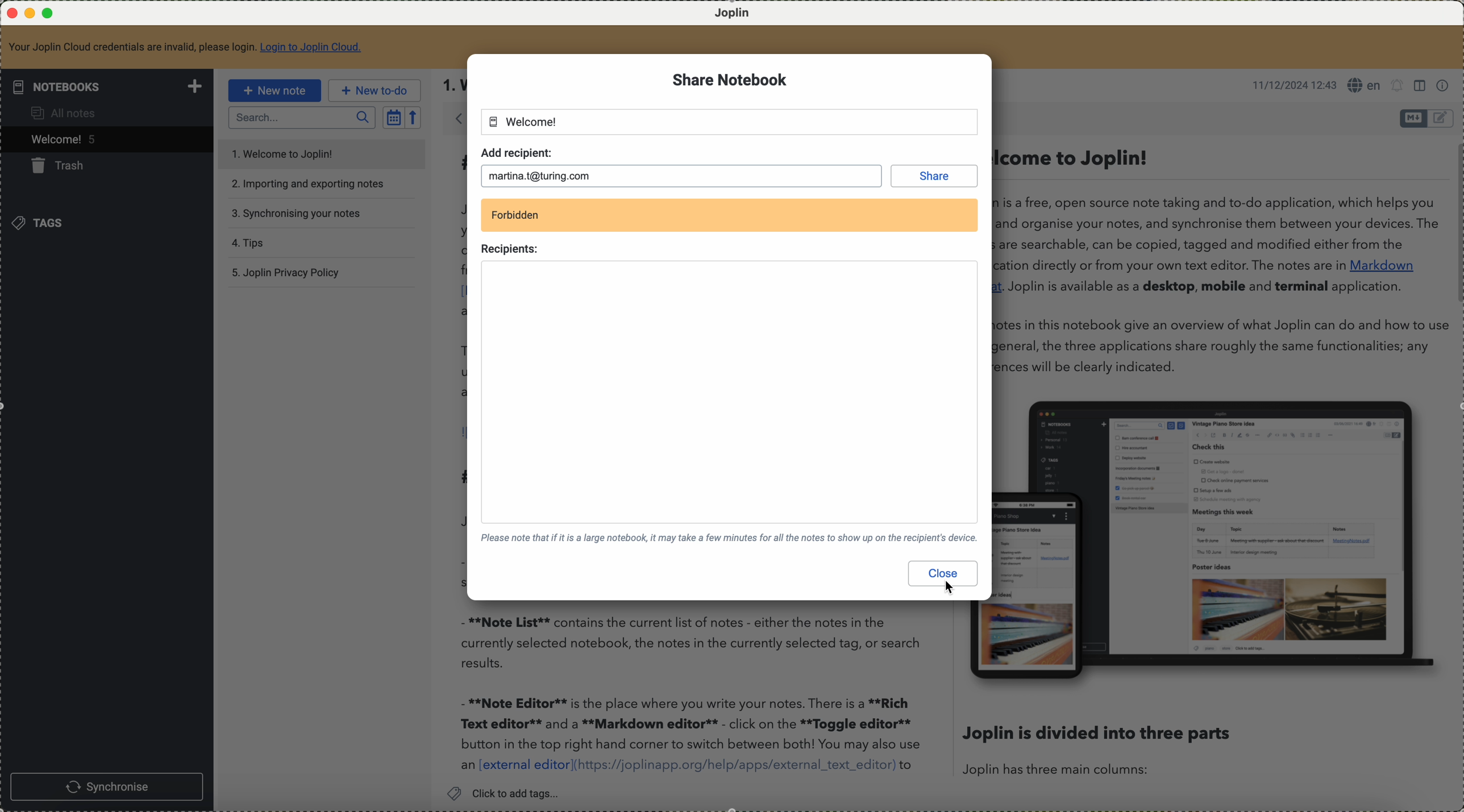 The width and height of the screenshot is (1464, 812). Describe the element at coordinates (730, 81) in the screenshot. I see `share notebook` at that location.